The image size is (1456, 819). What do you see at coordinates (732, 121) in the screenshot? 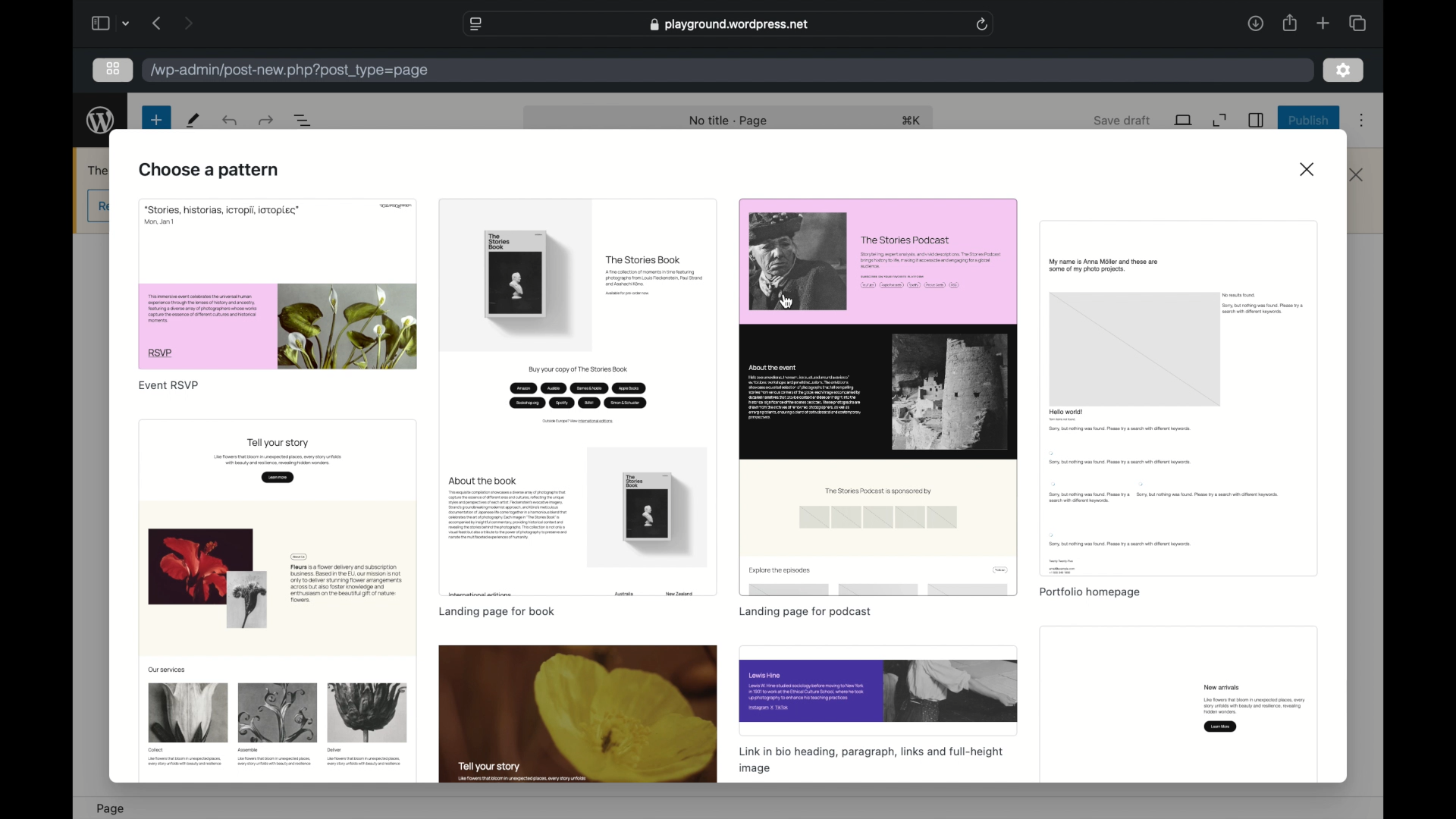
I see `no title - page` at bounding box center [732, 121].